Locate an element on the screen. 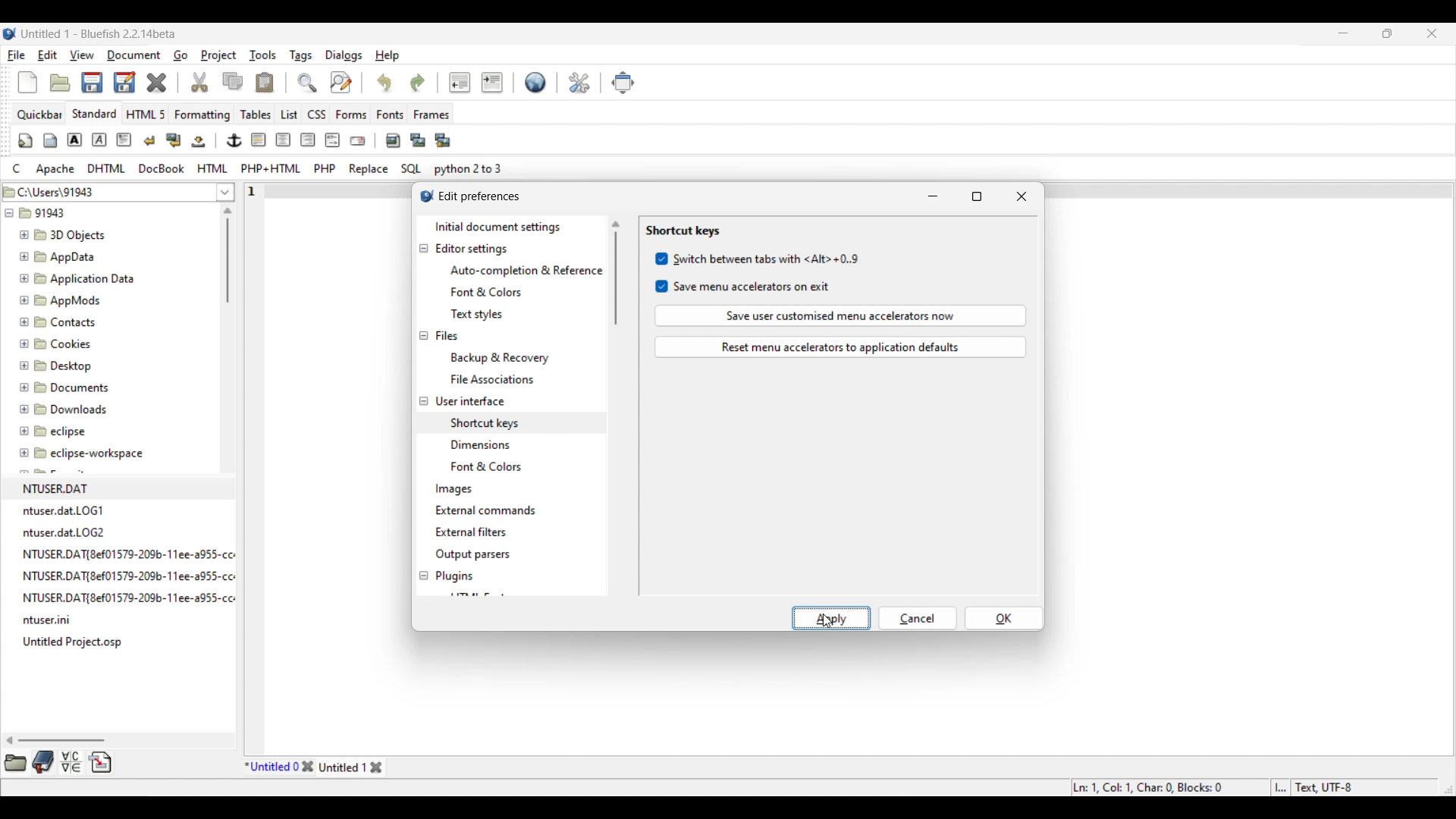 This screenshot has height=819, width=1456. Minimize is located at coordinates (933, 196).